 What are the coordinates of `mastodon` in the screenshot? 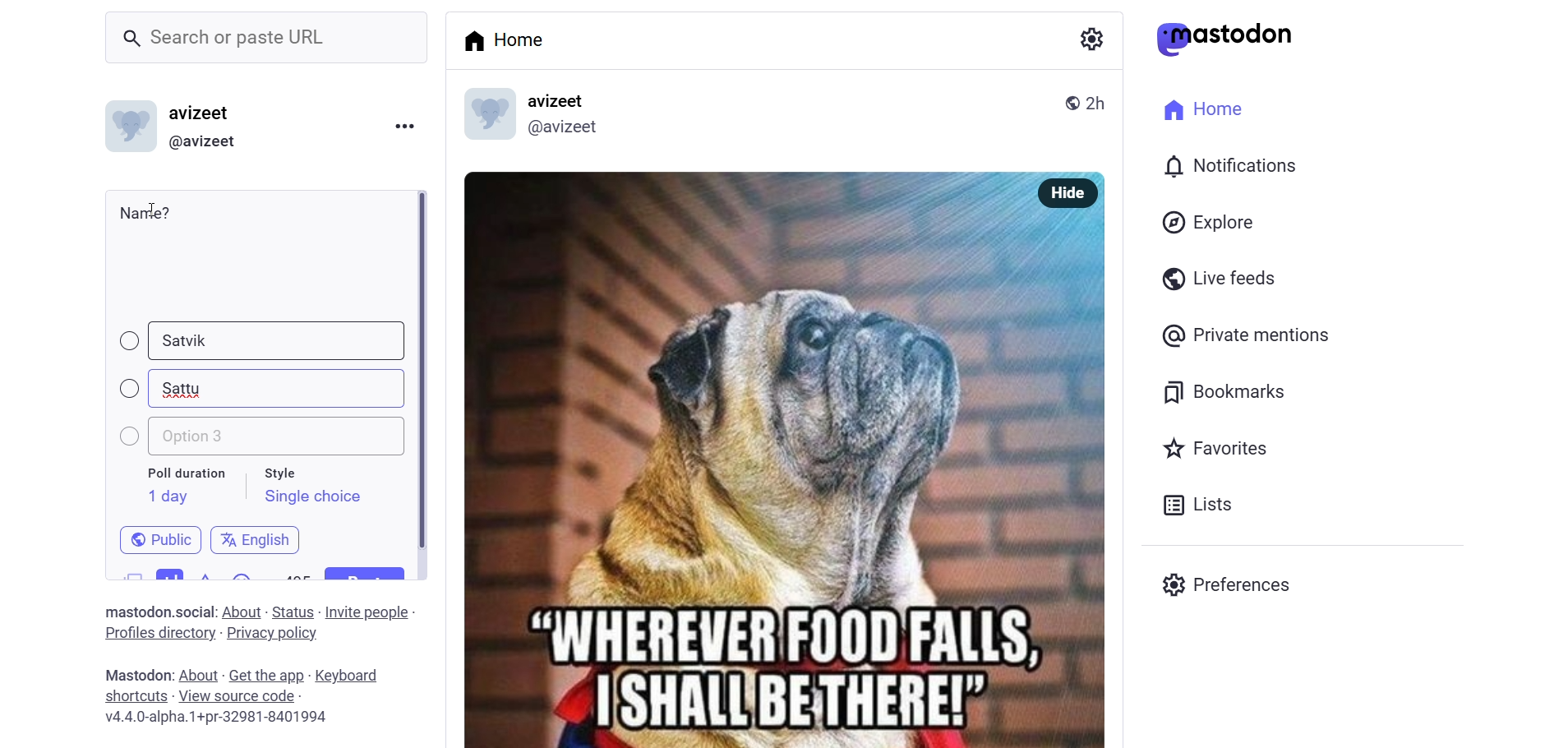 It's located at (133, 609).